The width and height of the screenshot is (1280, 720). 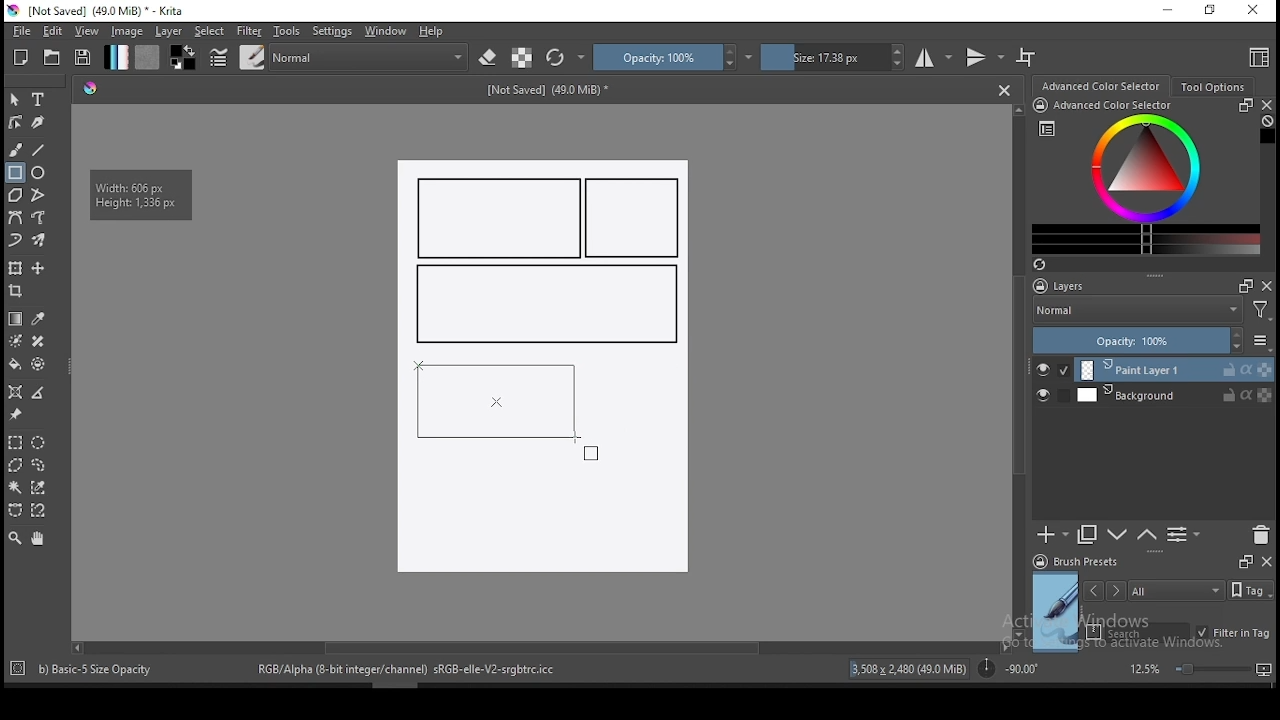 I want to click on new rectangle, so click(x=636, y=219).